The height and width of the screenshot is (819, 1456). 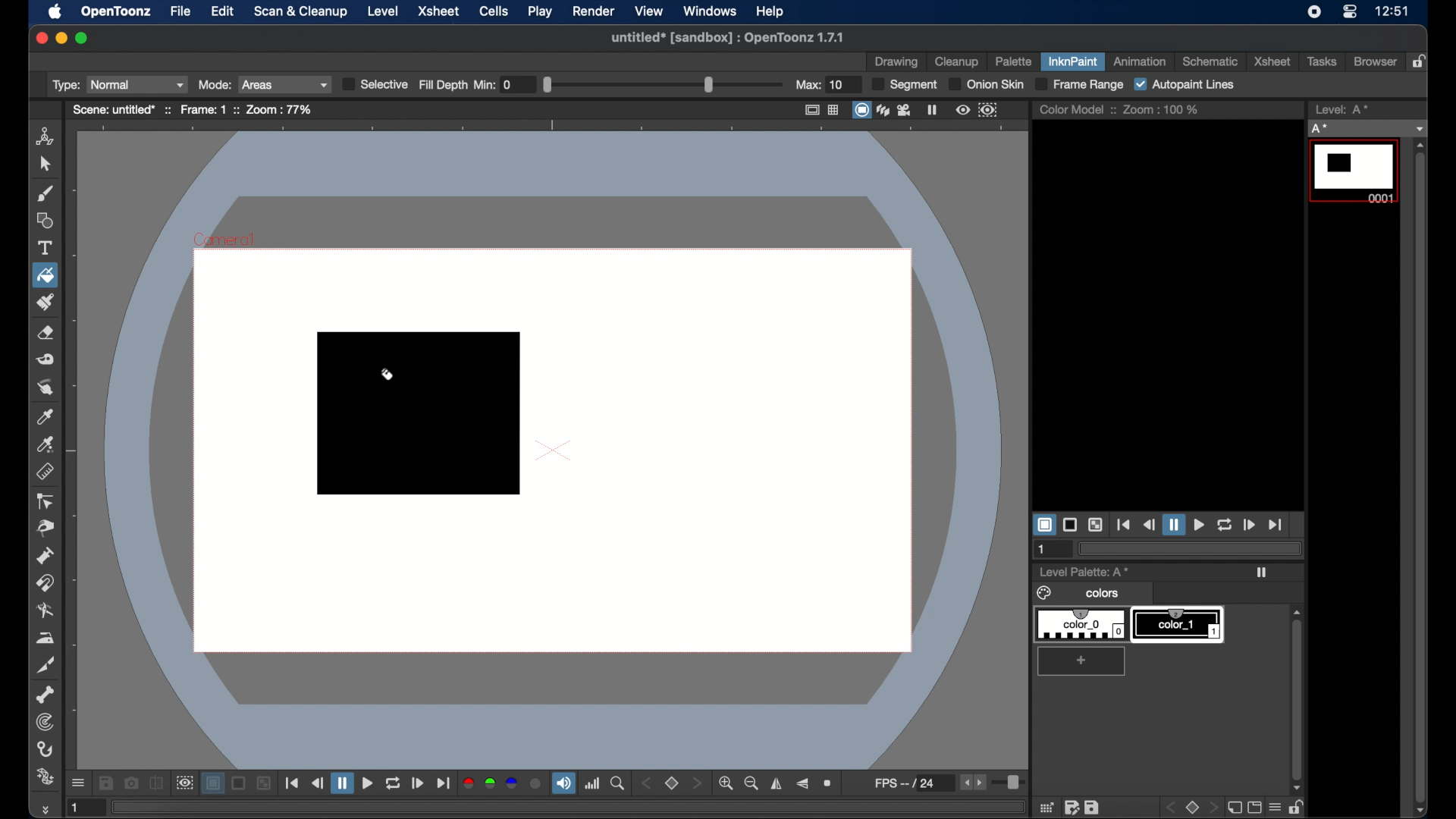 What do you see at coordinates (1148, 525) in the screenshot?
I see `rewind` at bounding box center [1148, 525].